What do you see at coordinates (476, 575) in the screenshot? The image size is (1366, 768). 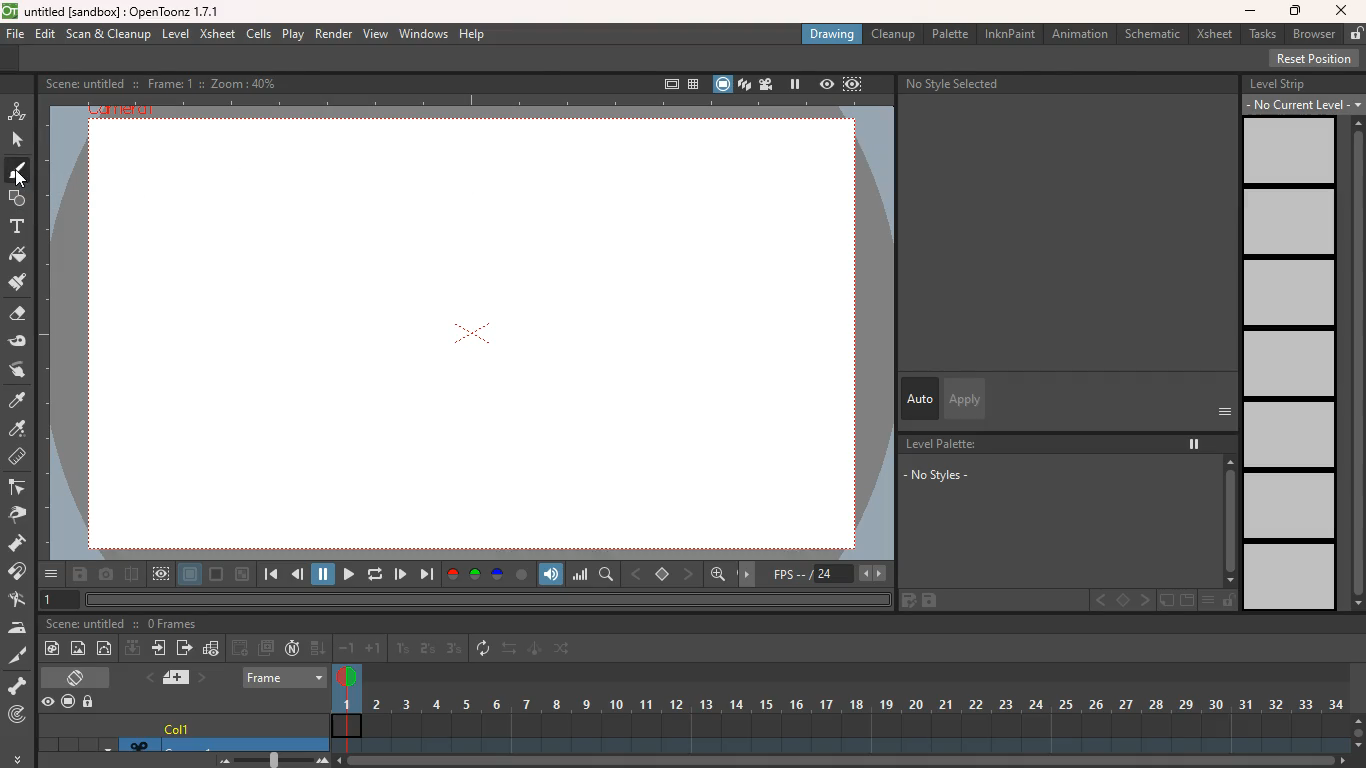 I see `green` at bounding box center [476, 575].